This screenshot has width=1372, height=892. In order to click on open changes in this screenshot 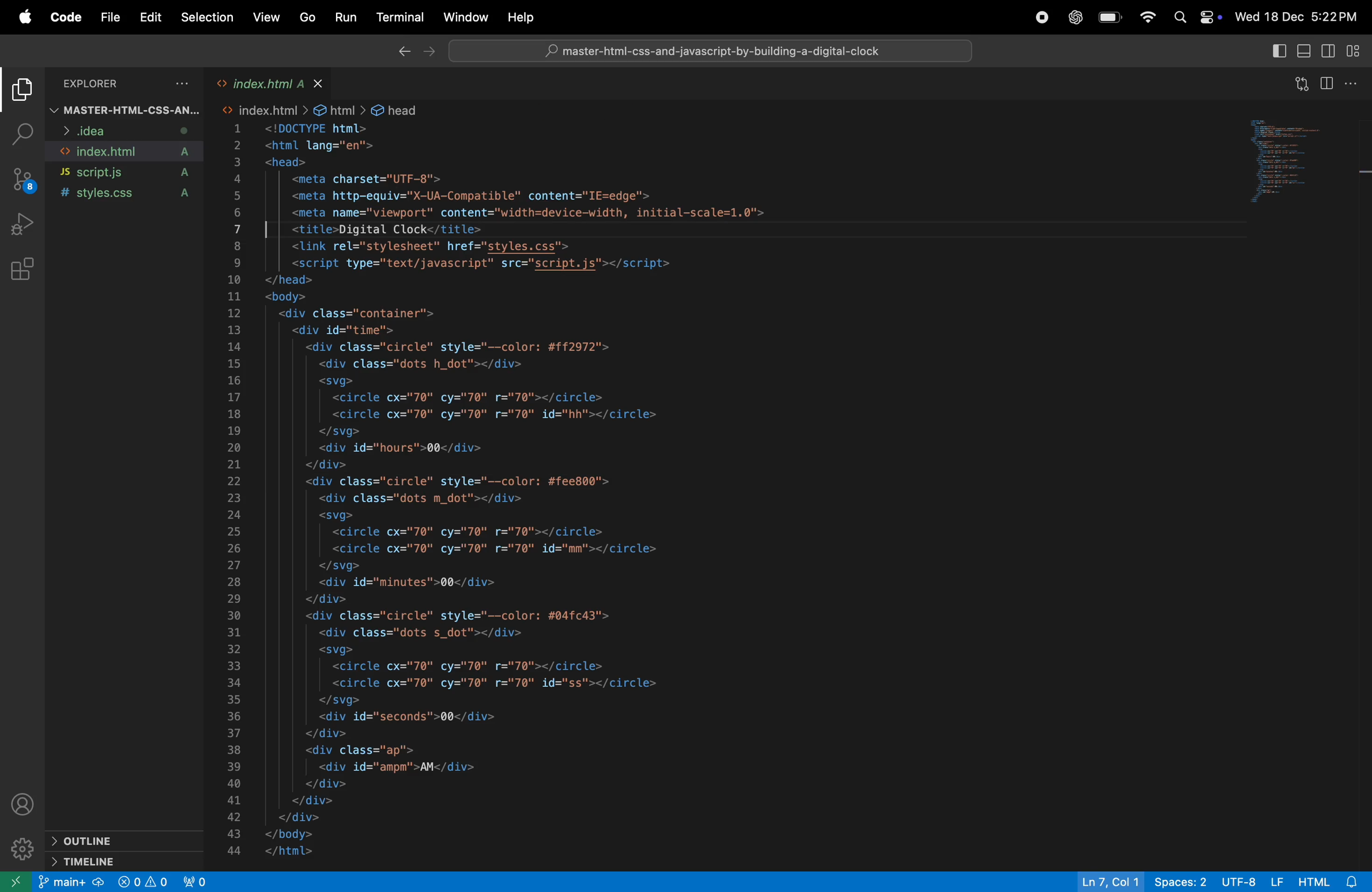, I will do `click(1299, 85)`.